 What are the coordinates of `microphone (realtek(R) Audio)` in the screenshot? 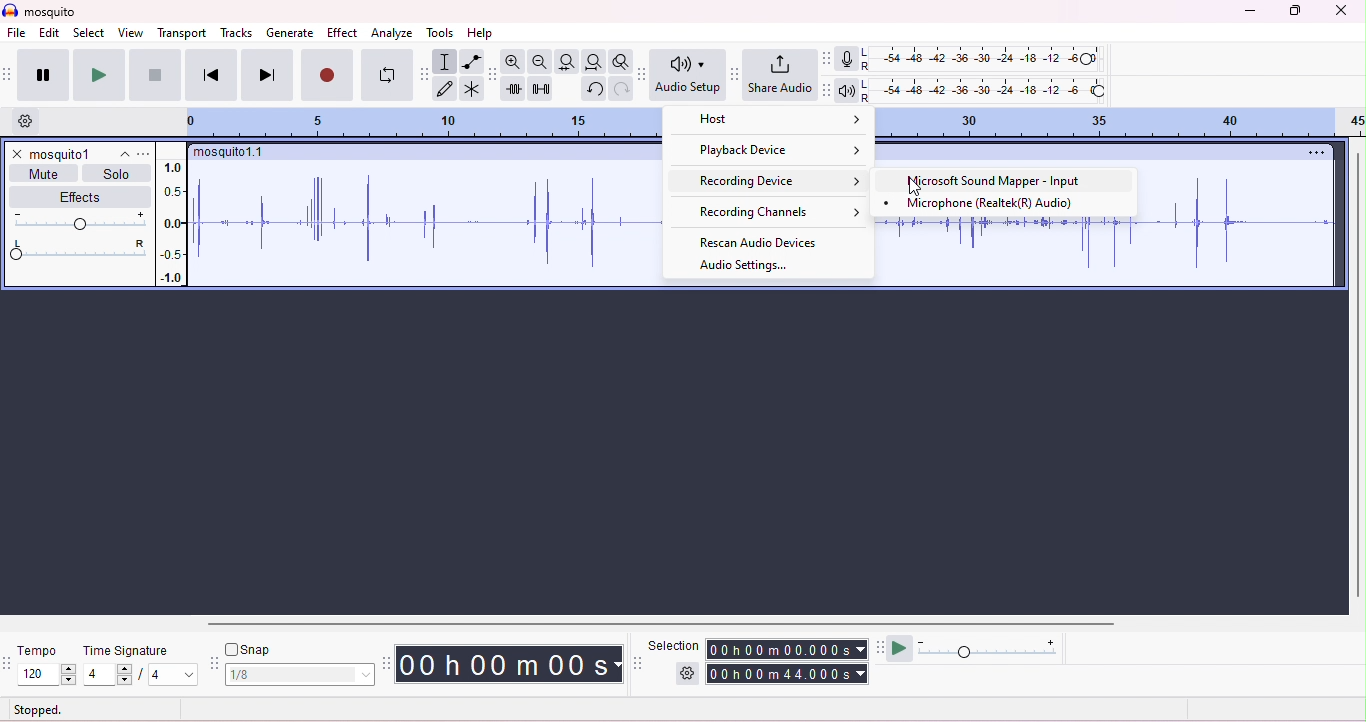 It's located at (984, 204).